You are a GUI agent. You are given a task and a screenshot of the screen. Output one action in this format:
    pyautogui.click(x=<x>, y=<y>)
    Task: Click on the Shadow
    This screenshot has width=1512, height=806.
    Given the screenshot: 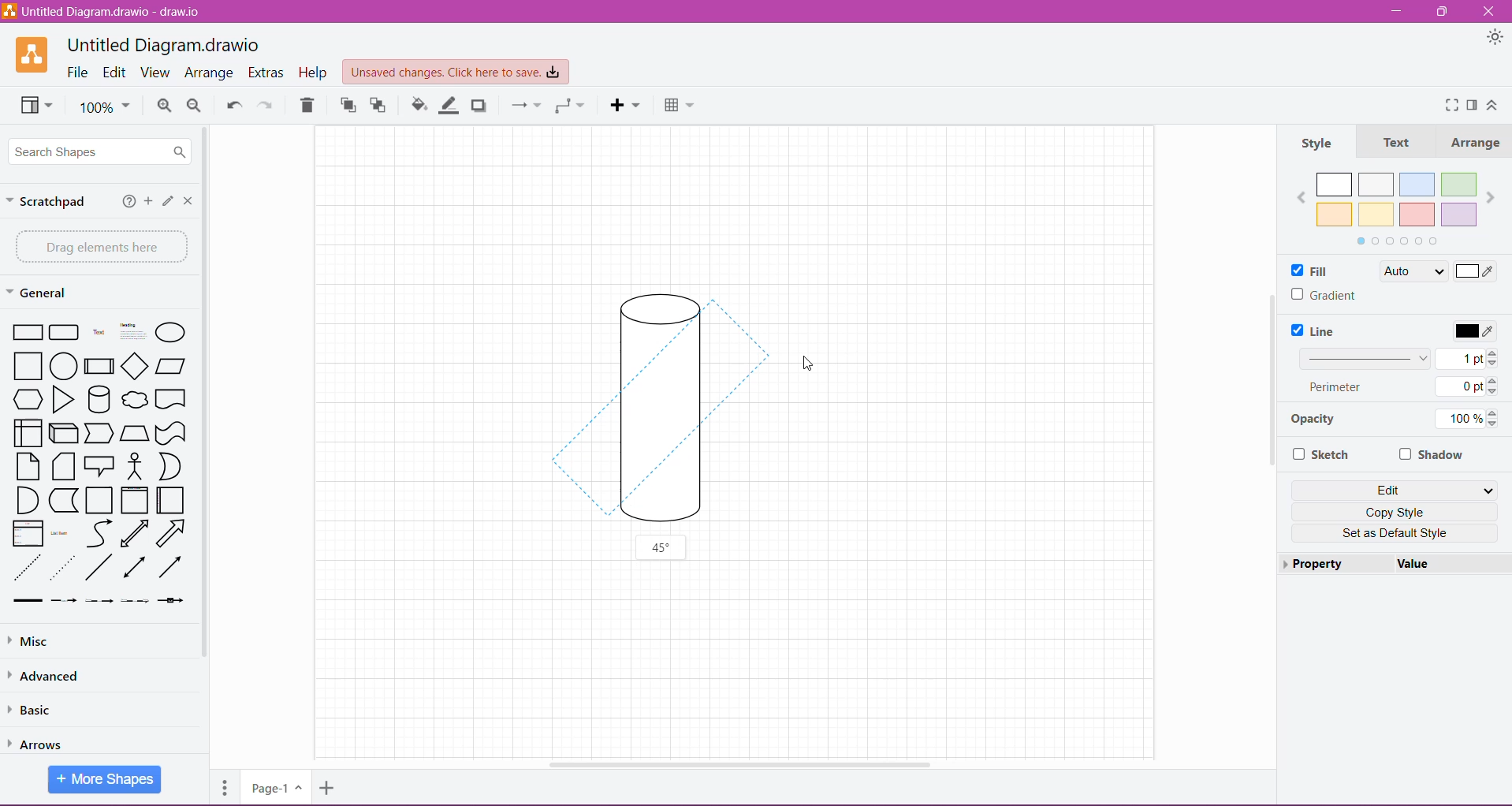 What is the action you would take?
    pyautogui.click(x=1432, y=453)
    